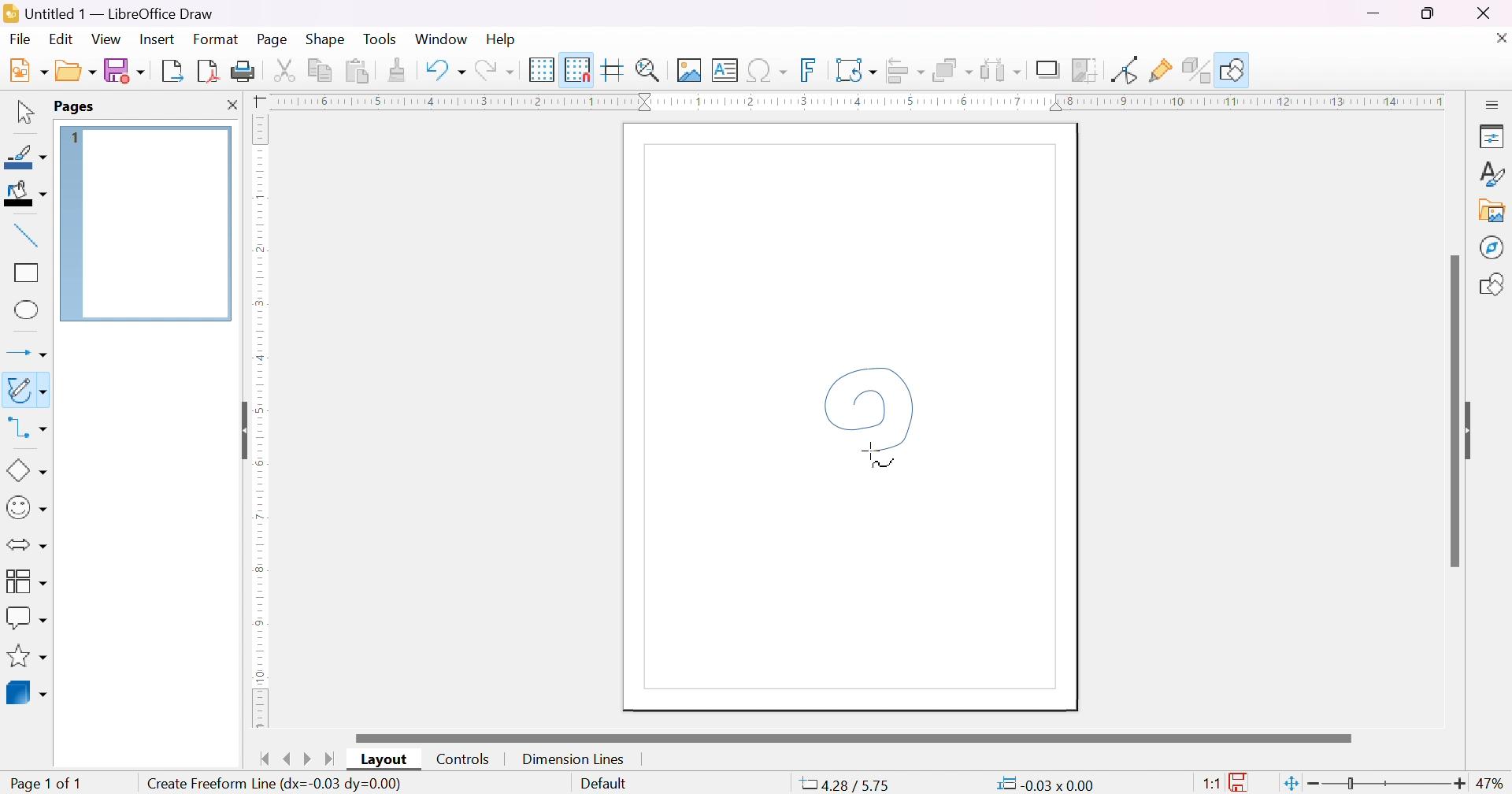 The height and width of the screenshot is (794, 1512). What do you see at coordinates (27, 617) in the screenshot?
I see `callout shapes` at bounding box center [27, 617].